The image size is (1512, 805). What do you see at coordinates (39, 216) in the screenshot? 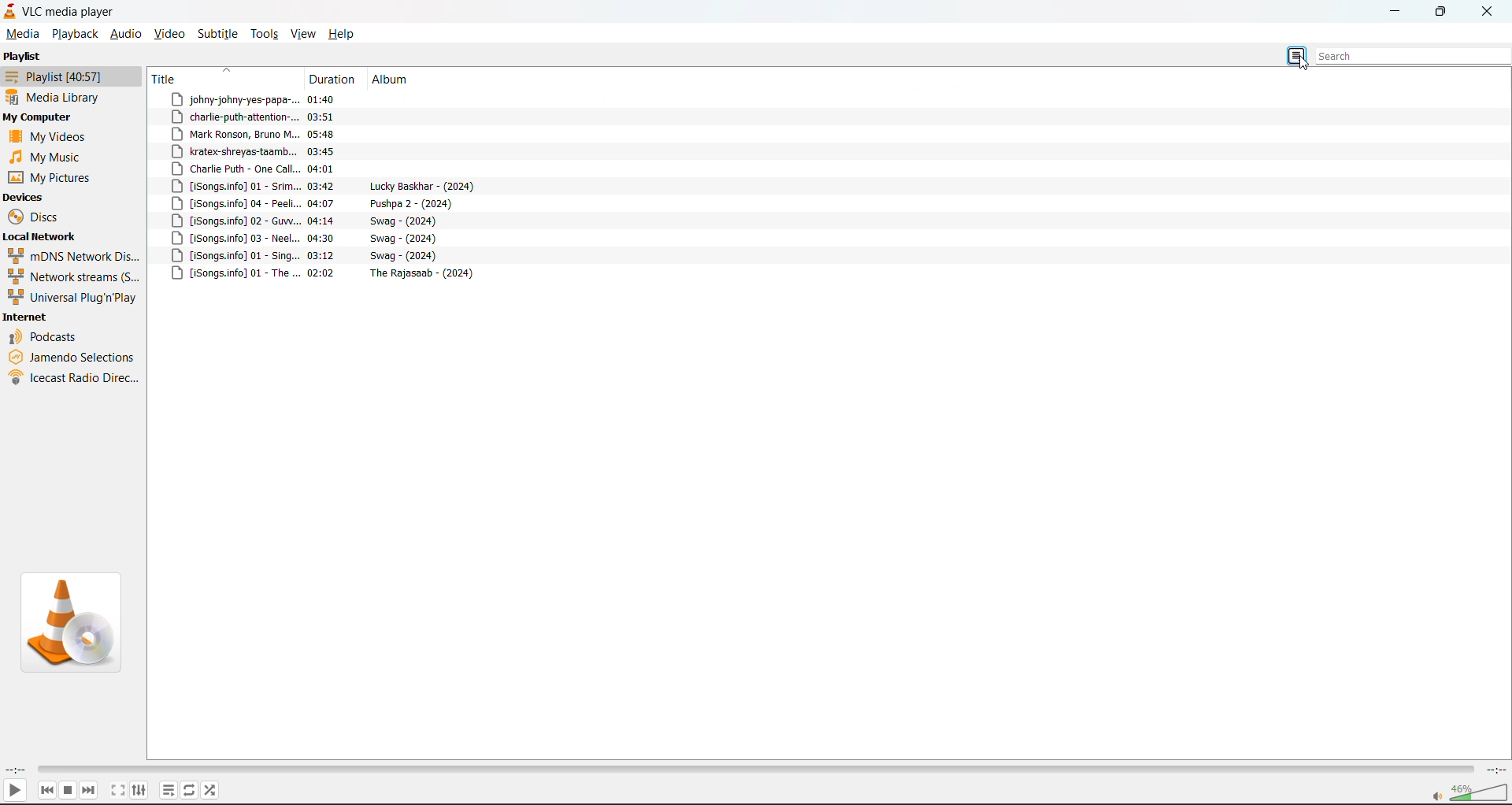
I see `discs` at bounding box center [39, 216].